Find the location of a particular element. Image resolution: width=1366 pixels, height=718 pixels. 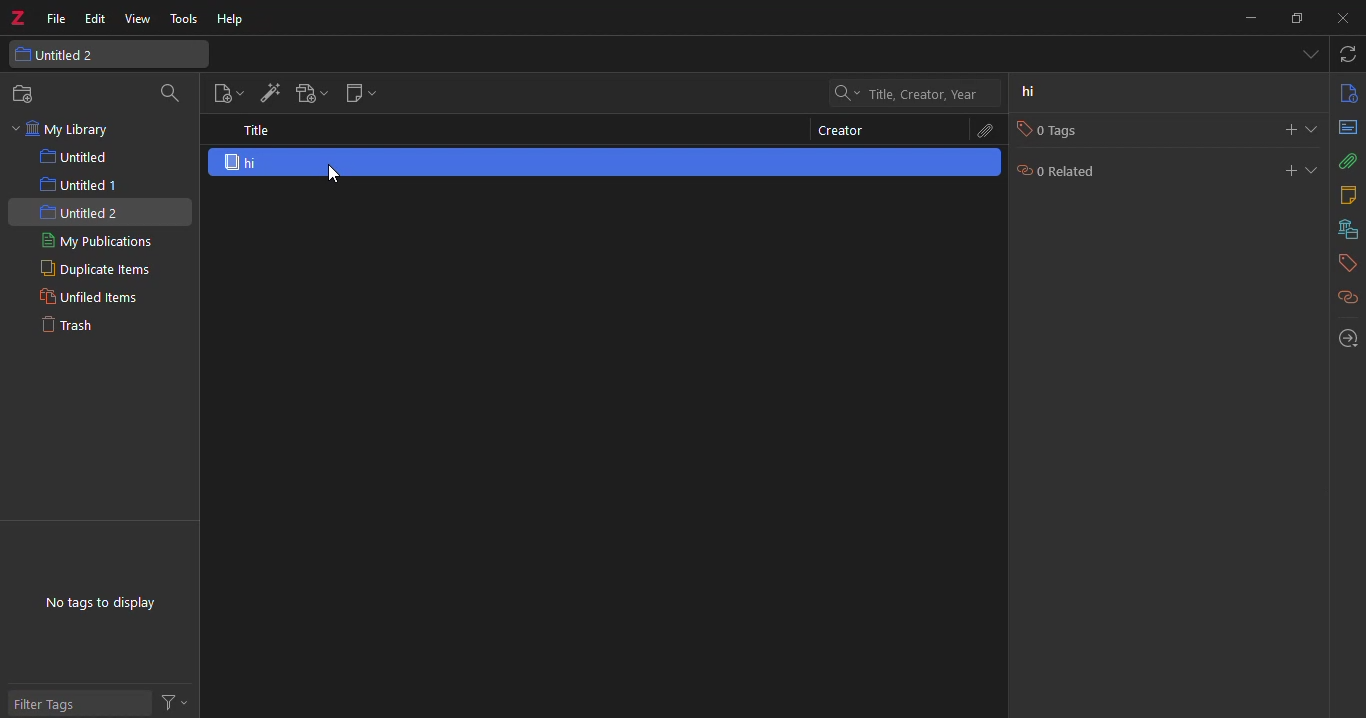

tools is located at coordinates (186, 19).